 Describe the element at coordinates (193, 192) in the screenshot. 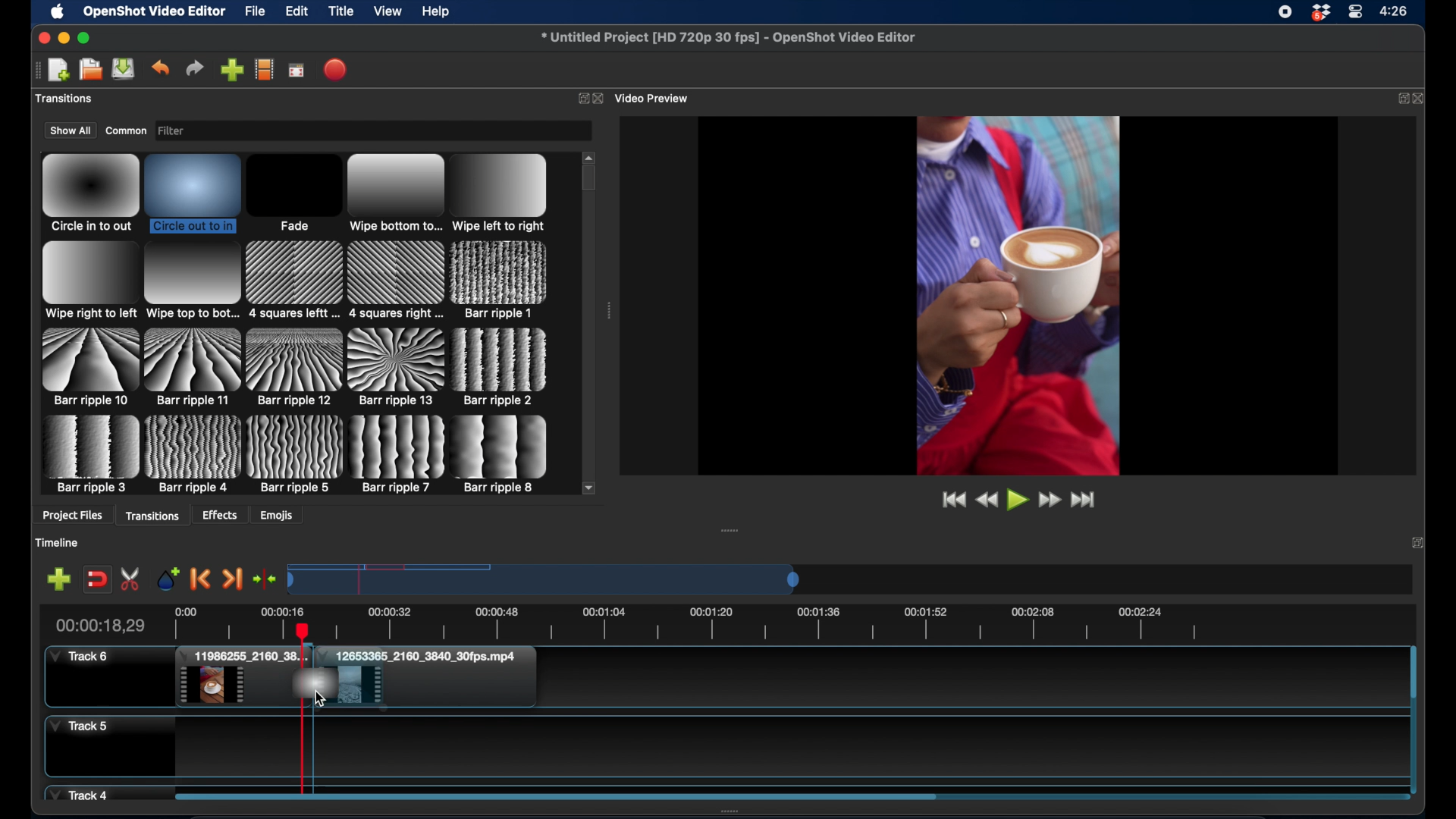

I see `transition` at that location.